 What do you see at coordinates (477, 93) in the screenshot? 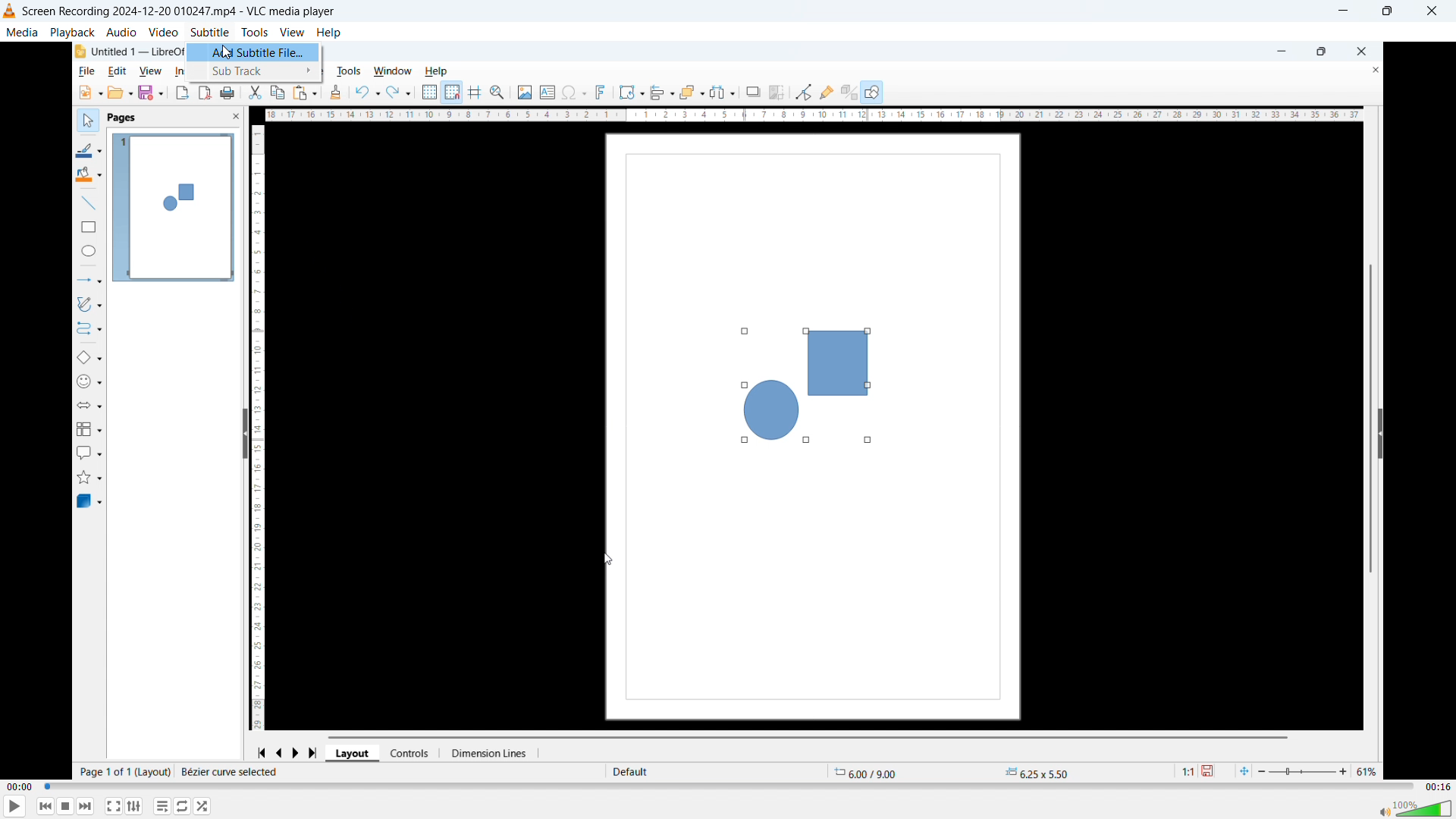
I see `helpline while moving` at bounding box center [477, 93].